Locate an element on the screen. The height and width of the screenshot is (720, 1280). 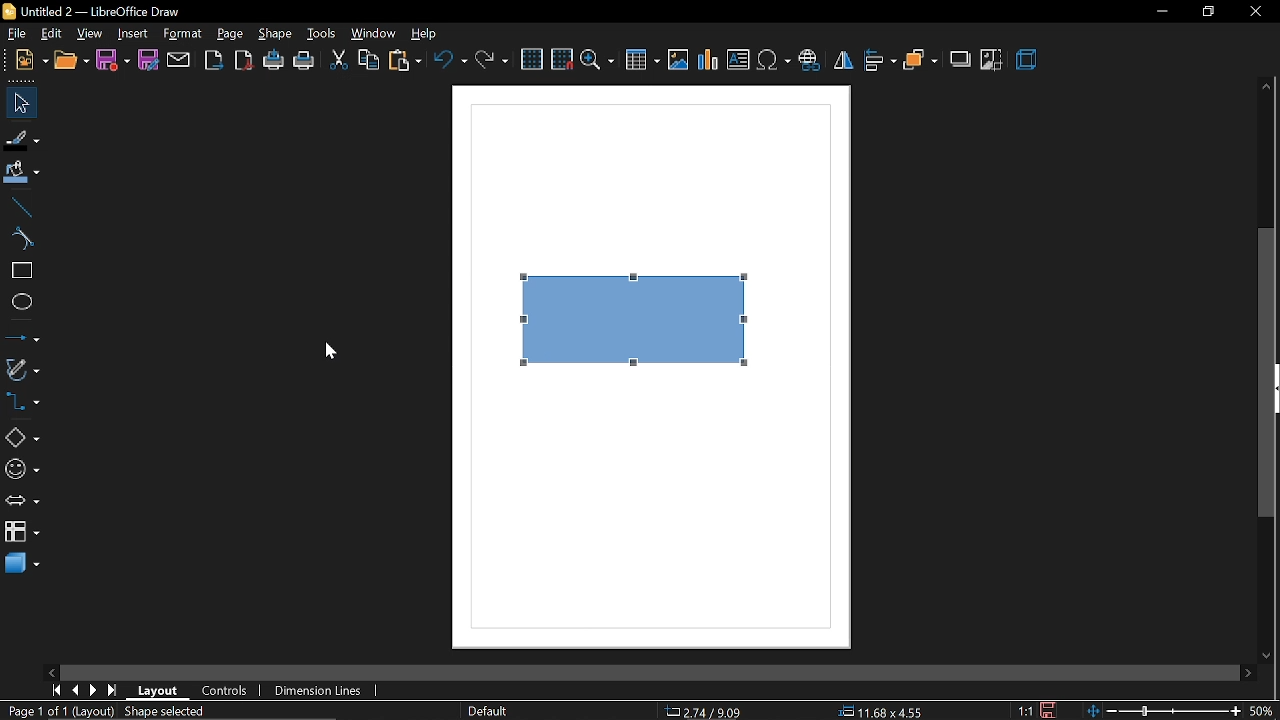
11.68x4.55 is located at coordinates (884, 712).